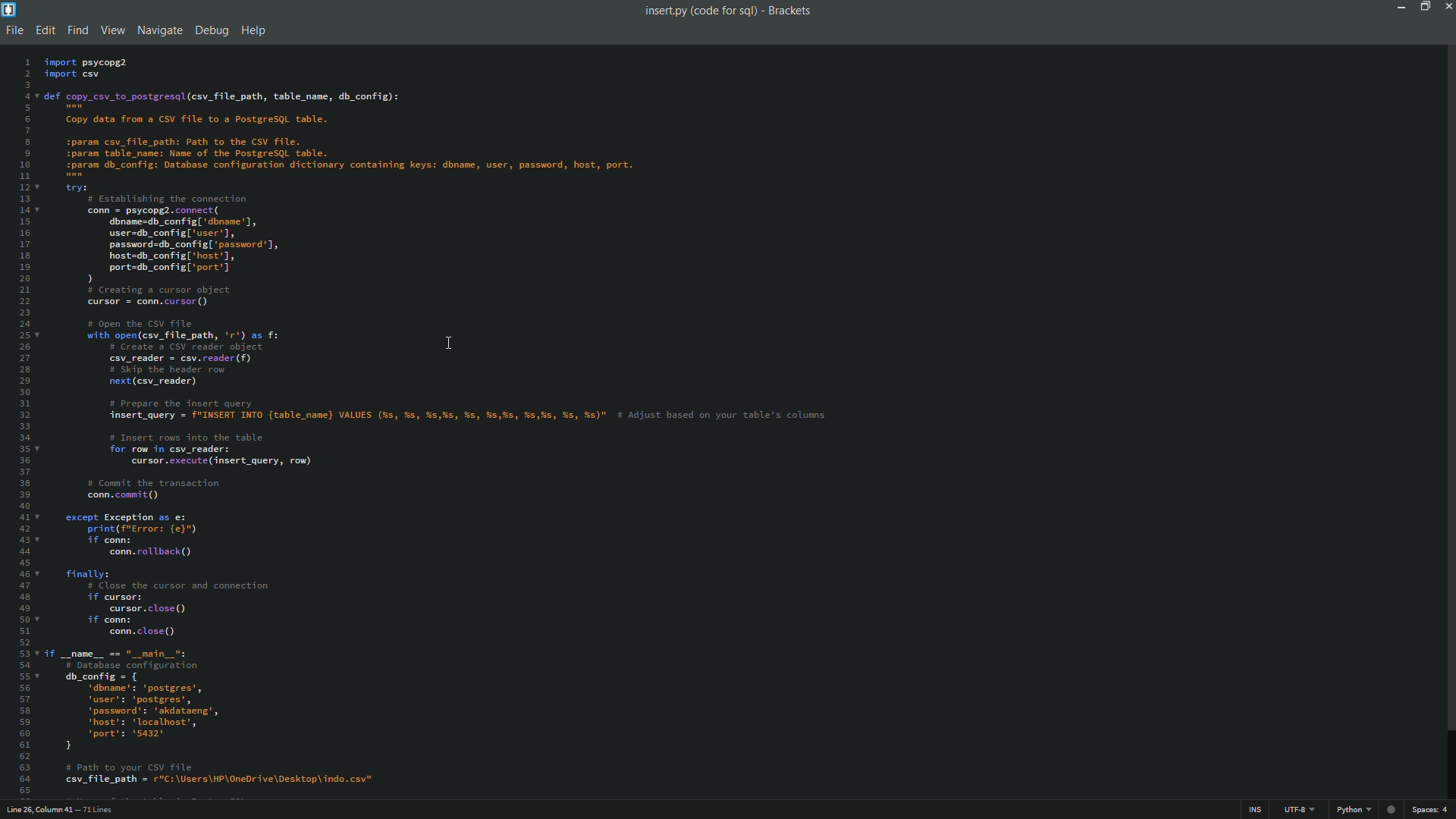 This screenshot has height=819, width=1456. I want to click on debug menu, so click(211, 30).